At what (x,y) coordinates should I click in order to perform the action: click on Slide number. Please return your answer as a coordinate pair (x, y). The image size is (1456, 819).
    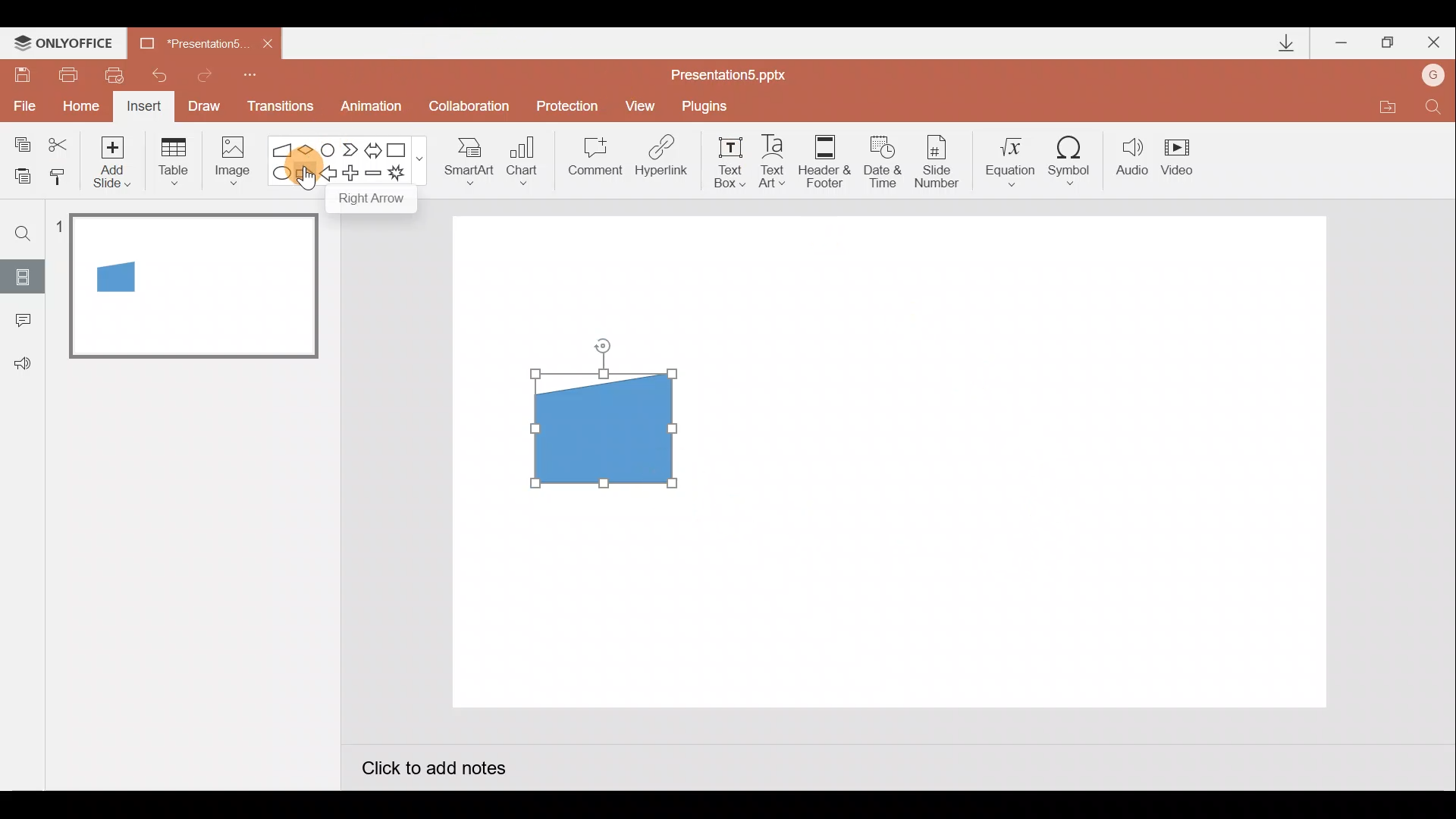
    Looking at the image, I should click on (941, 162).